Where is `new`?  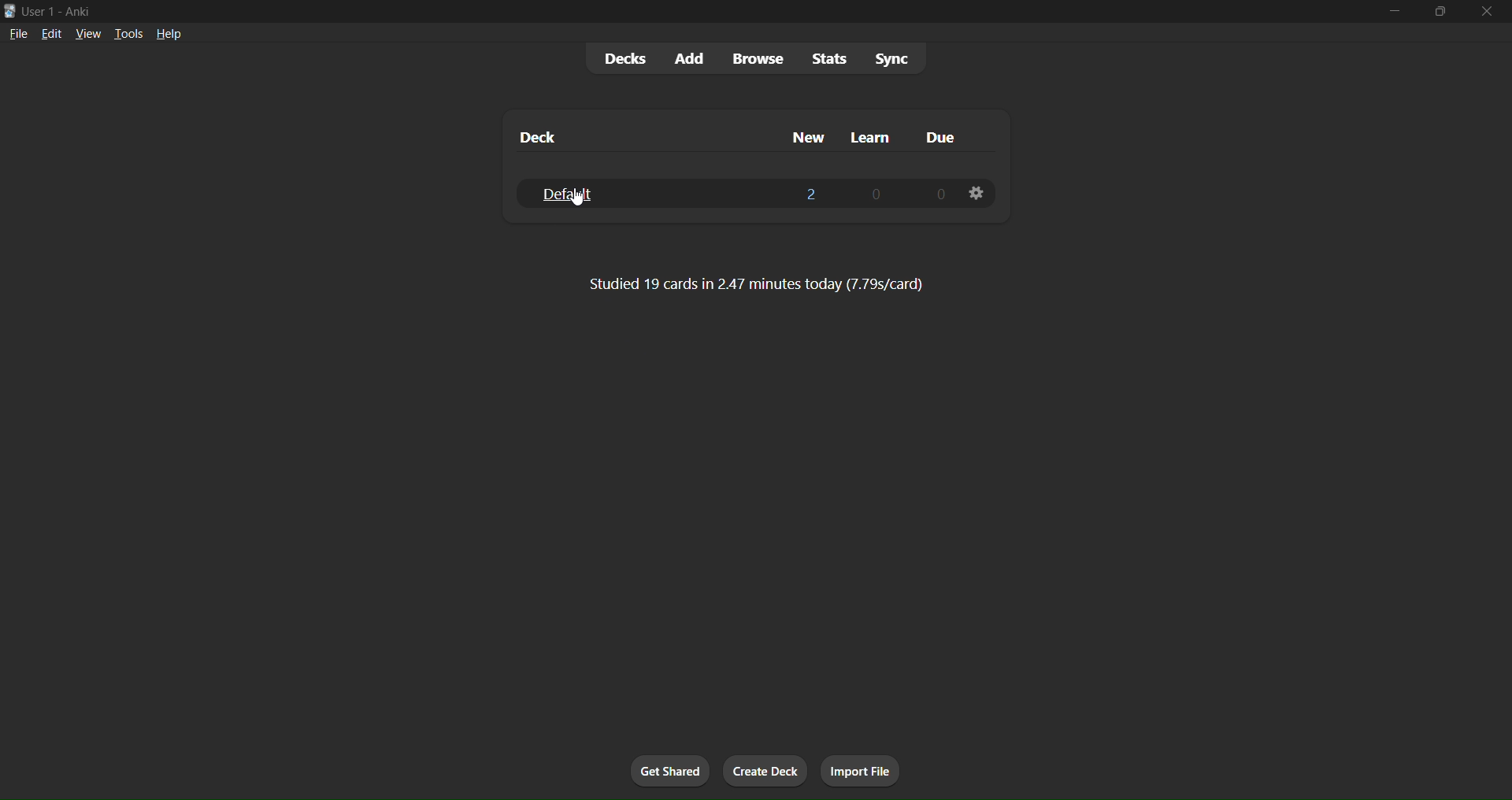 new is located at coordinates (808, 135).